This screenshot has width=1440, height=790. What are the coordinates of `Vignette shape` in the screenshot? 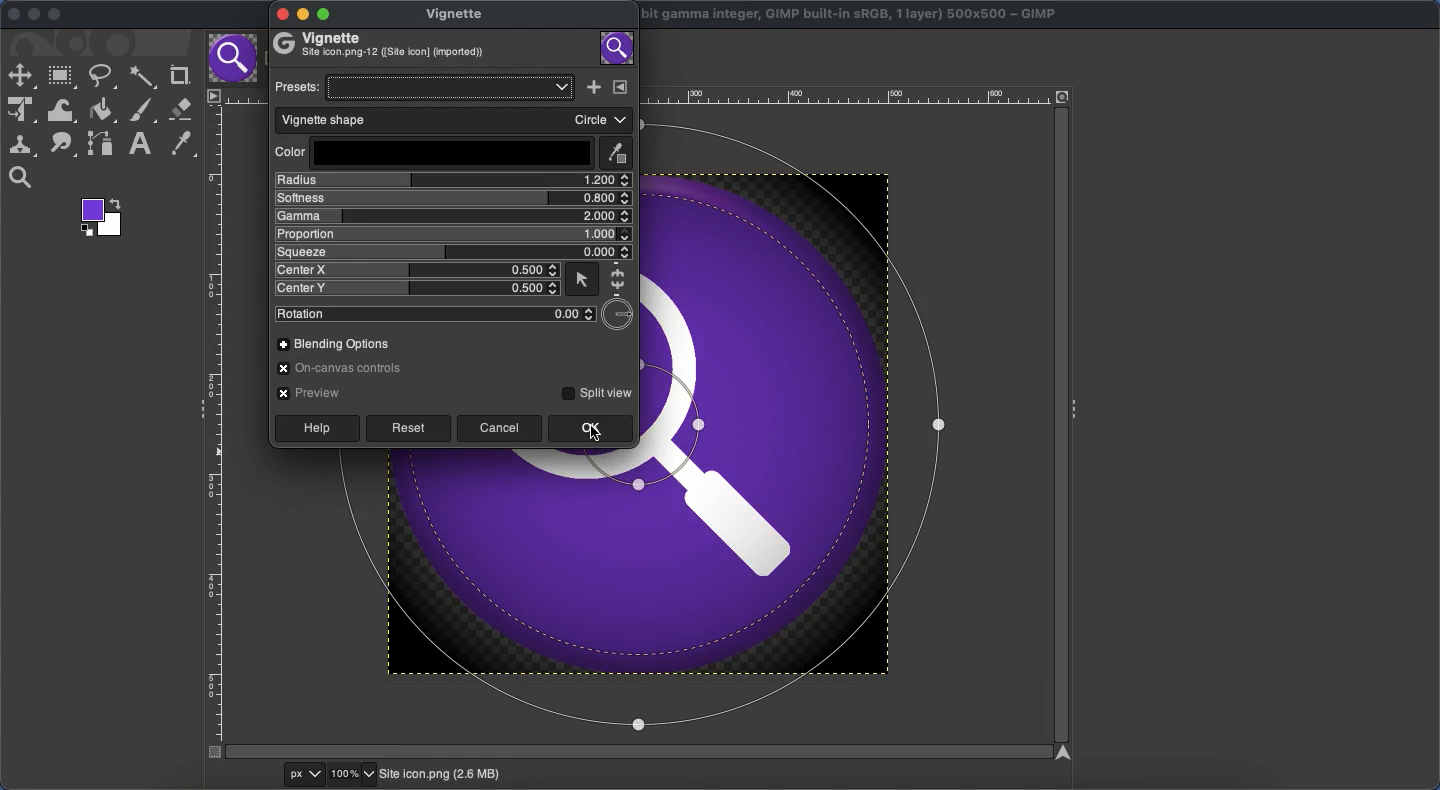 It's located at (456, 121).